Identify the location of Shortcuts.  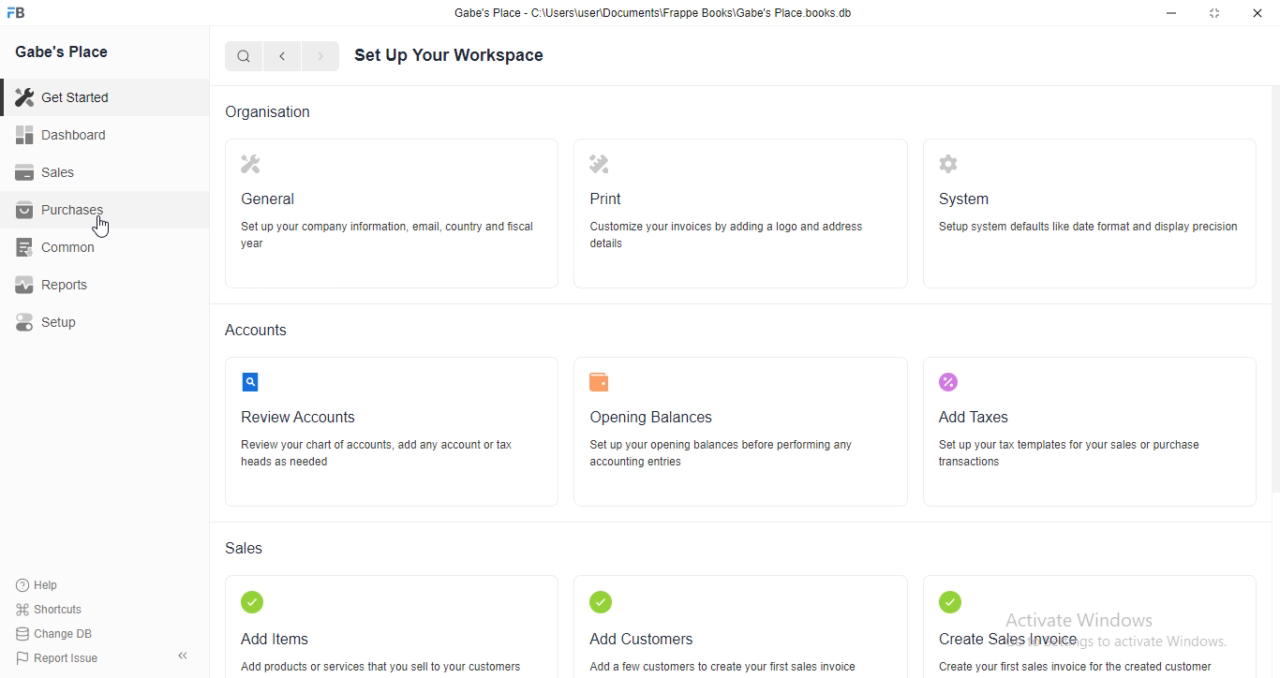
(47, 610).